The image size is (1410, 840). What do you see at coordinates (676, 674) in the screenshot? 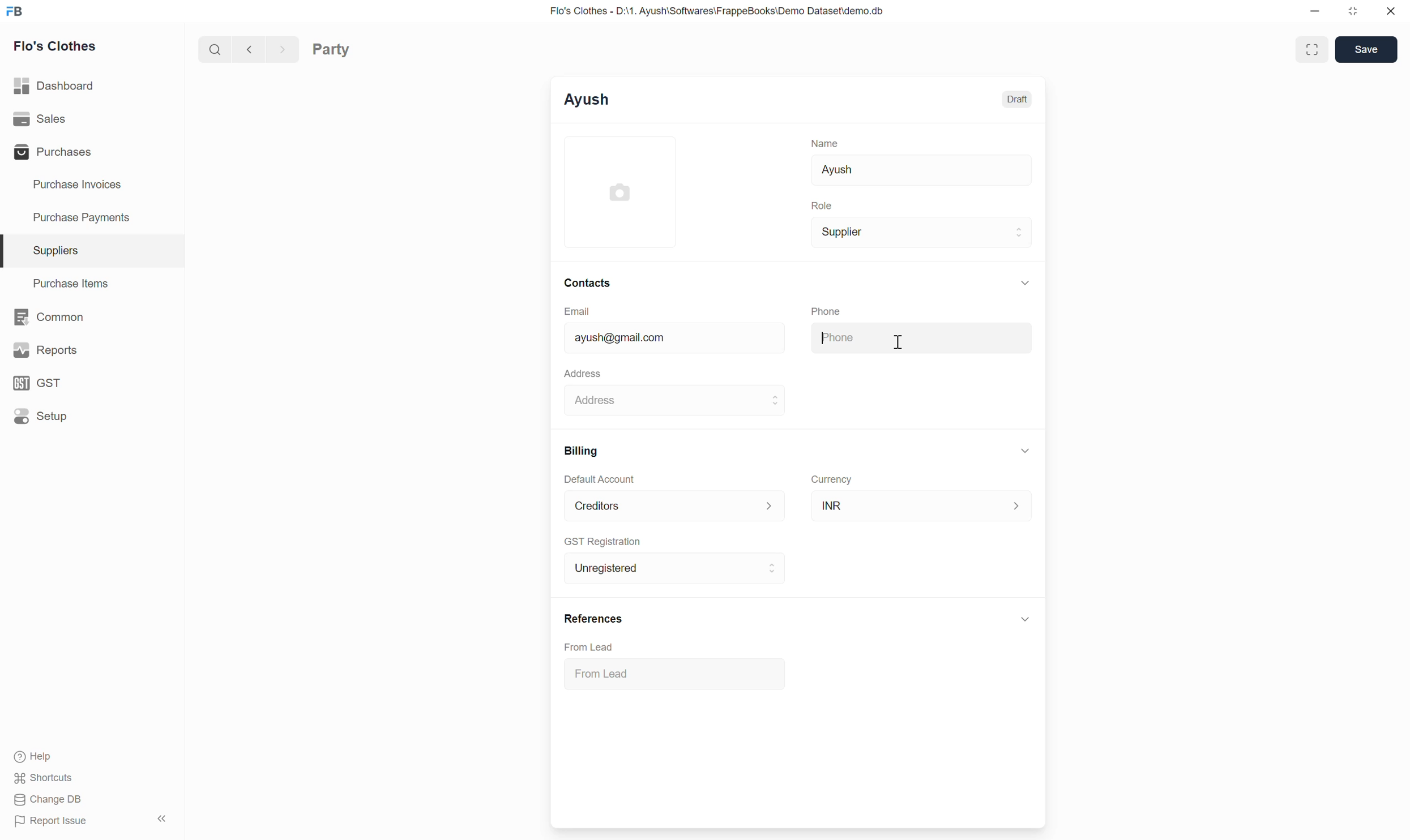
I see `From Lead` at bounding box center [676, 674].